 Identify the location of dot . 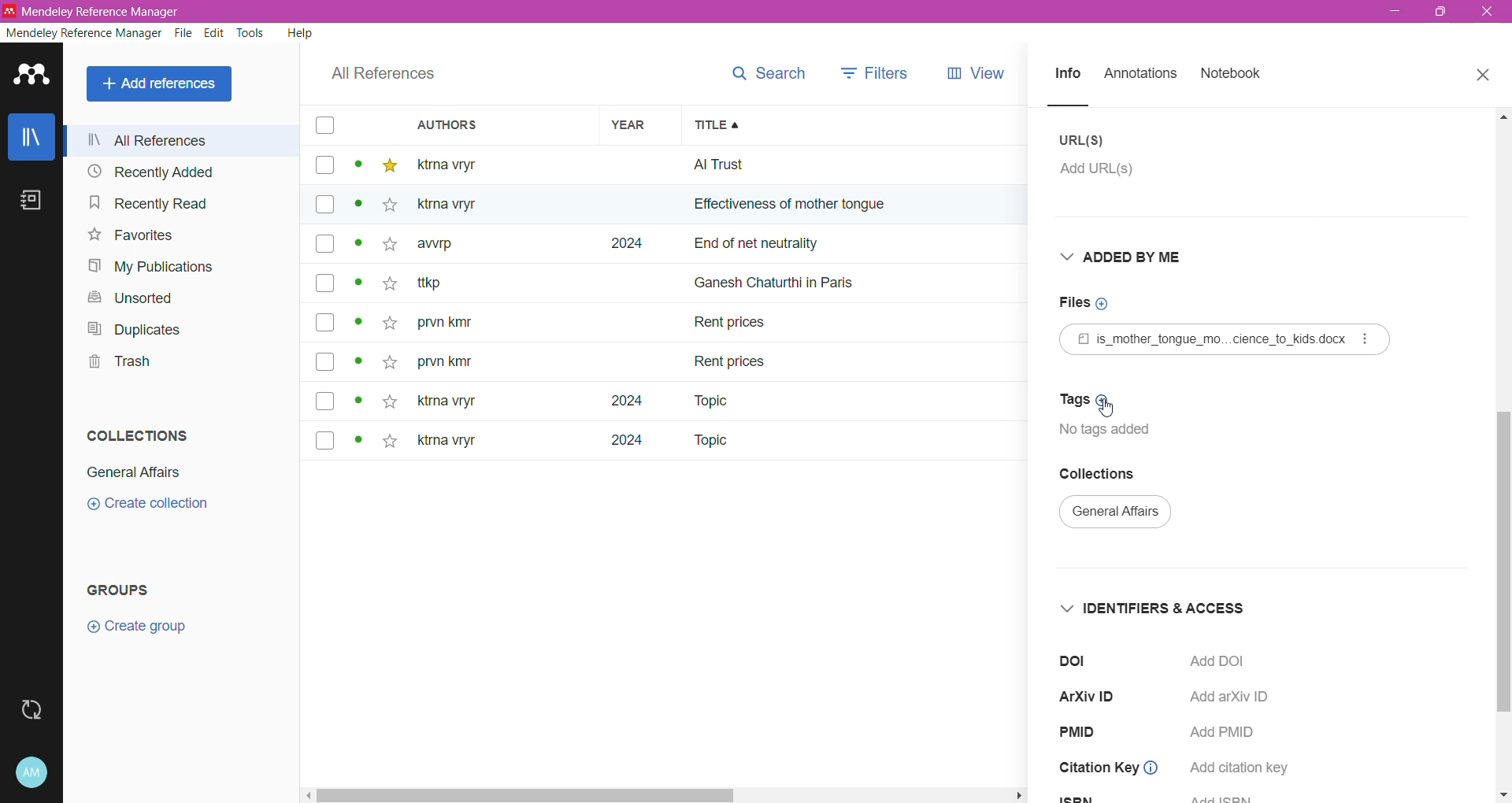
(360, 287).